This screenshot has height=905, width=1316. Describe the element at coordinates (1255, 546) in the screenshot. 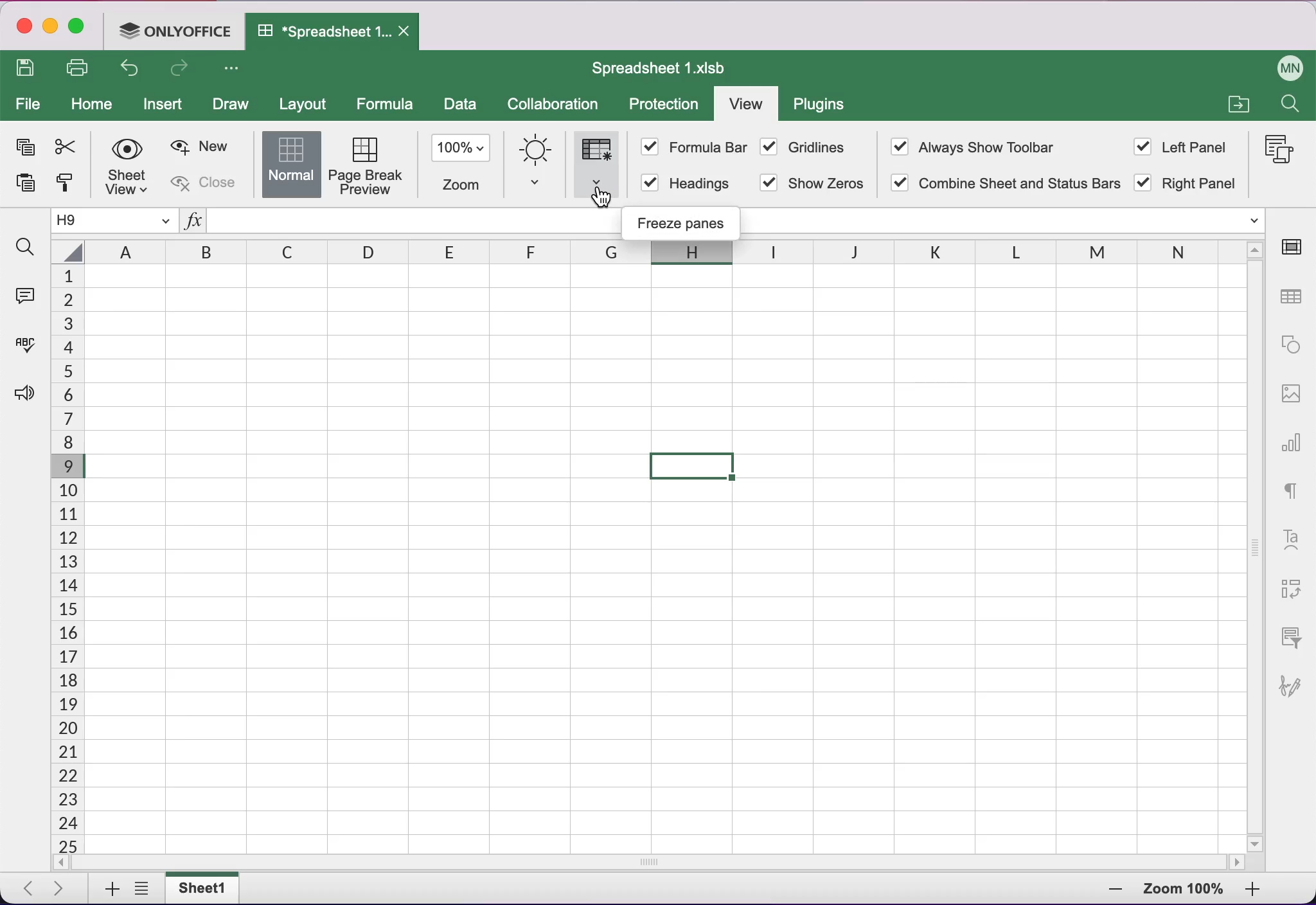

I see `vertical slider` at that location.